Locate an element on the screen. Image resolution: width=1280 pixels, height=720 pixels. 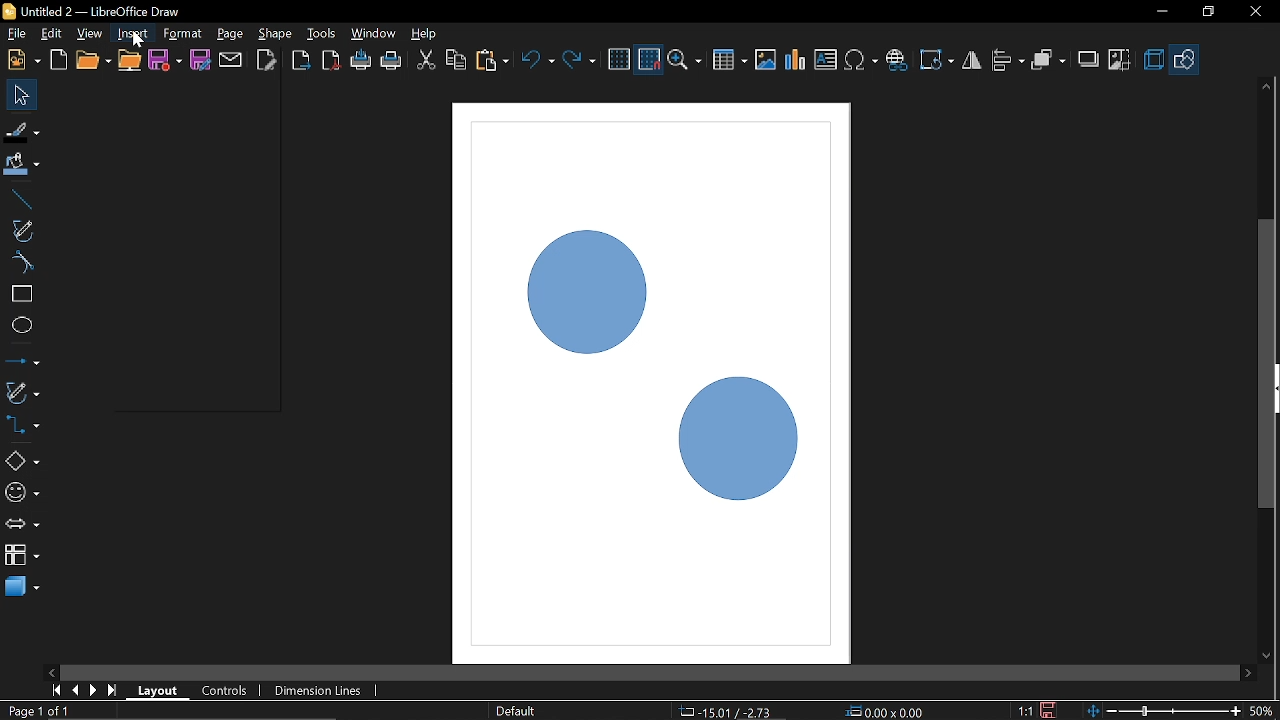
print directly is located at coordinates (392, 60).